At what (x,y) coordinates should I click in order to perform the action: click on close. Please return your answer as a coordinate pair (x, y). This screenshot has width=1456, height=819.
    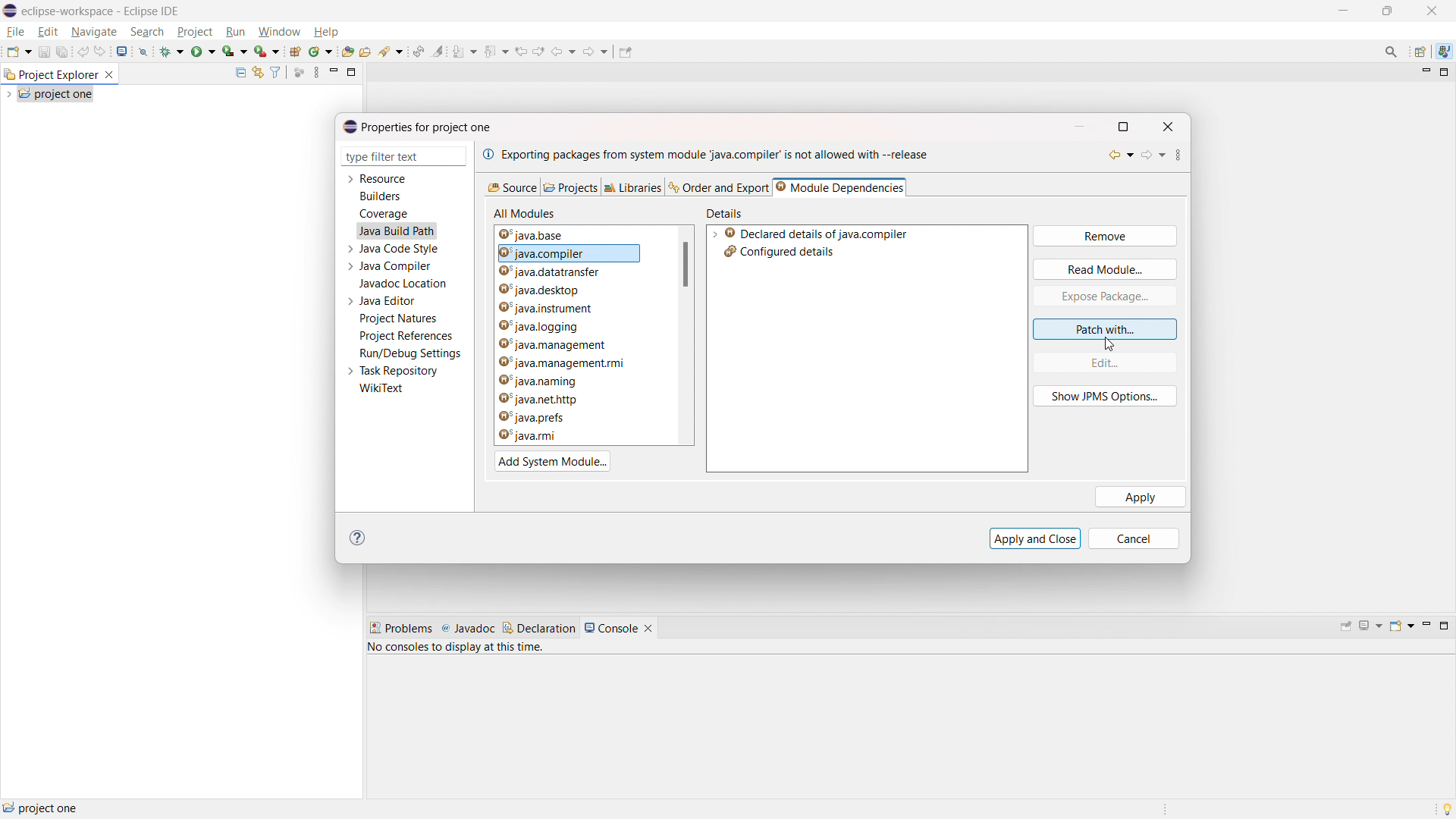
    Looking at the image, I should click on (1432, 11).